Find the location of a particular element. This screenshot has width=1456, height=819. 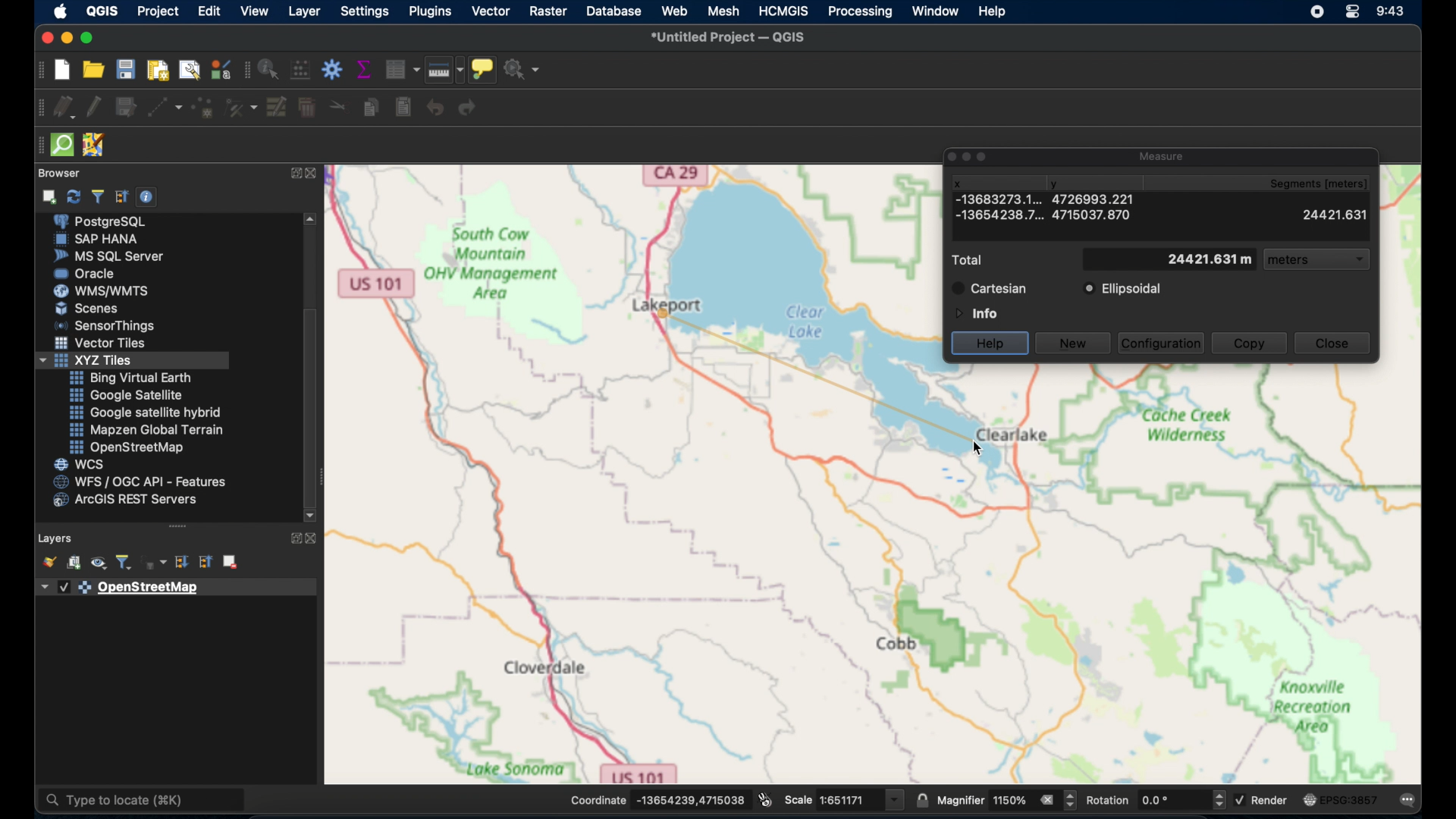

save project is located at coordinates (128, 70).